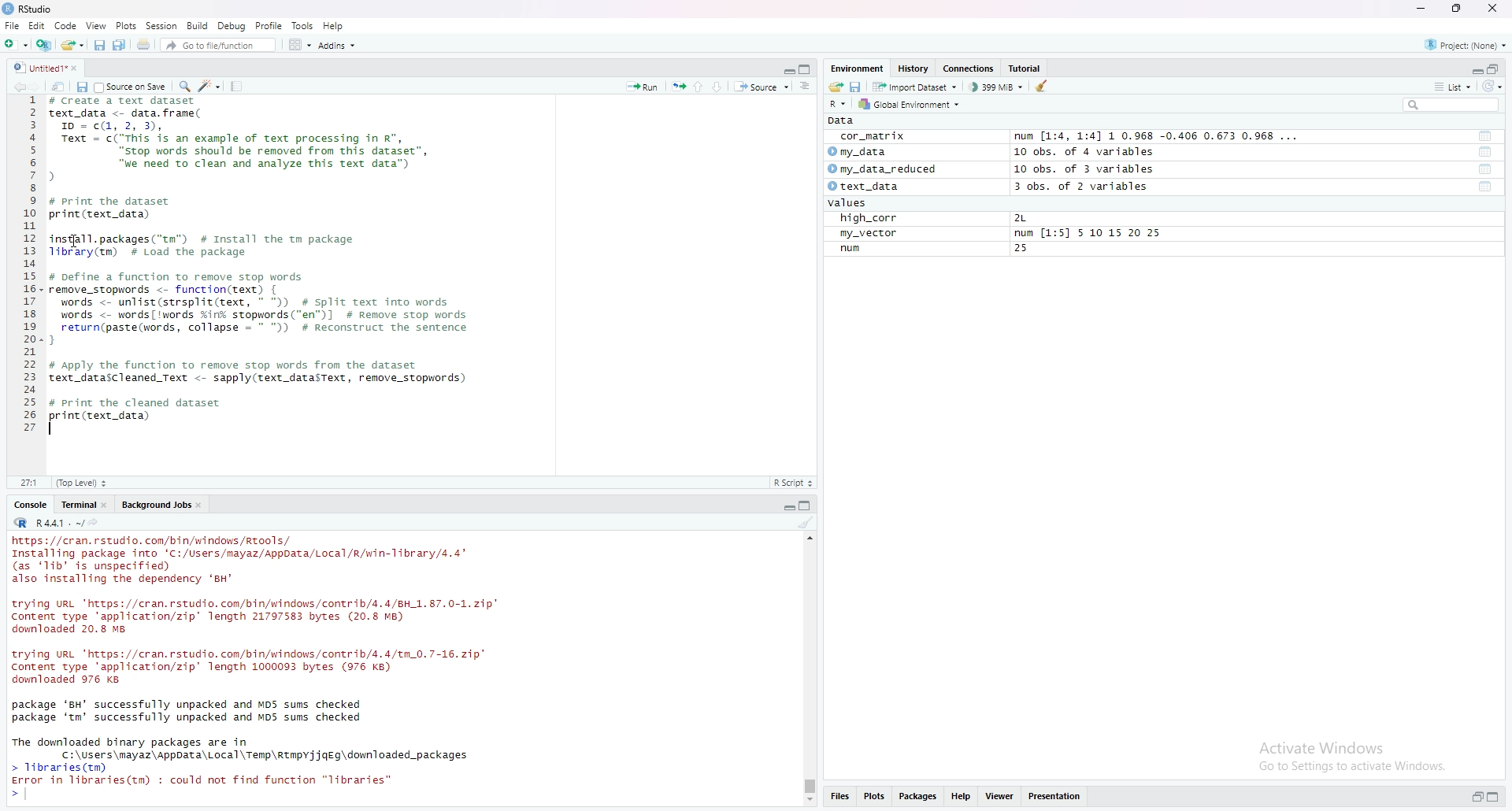 This screenshot has width=1512, height=811. What do you see at coordinates (1084, 152) in the screenshot?
I see `10 obs. of 4 variables` at bounding box center [1084, 152].